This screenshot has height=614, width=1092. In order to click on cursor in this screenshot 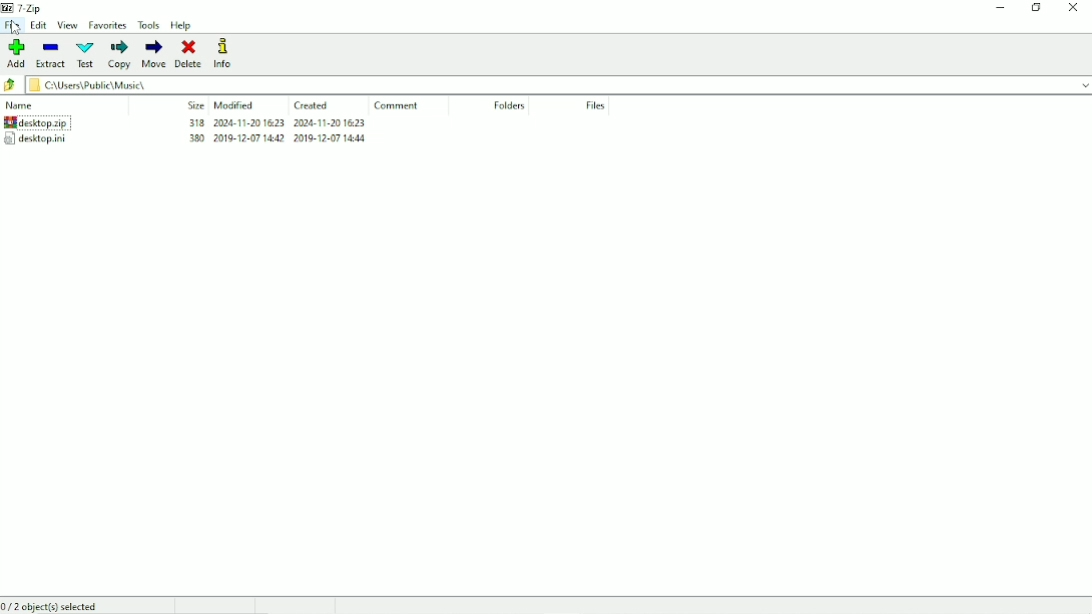, I will do `click(16, 28)`.